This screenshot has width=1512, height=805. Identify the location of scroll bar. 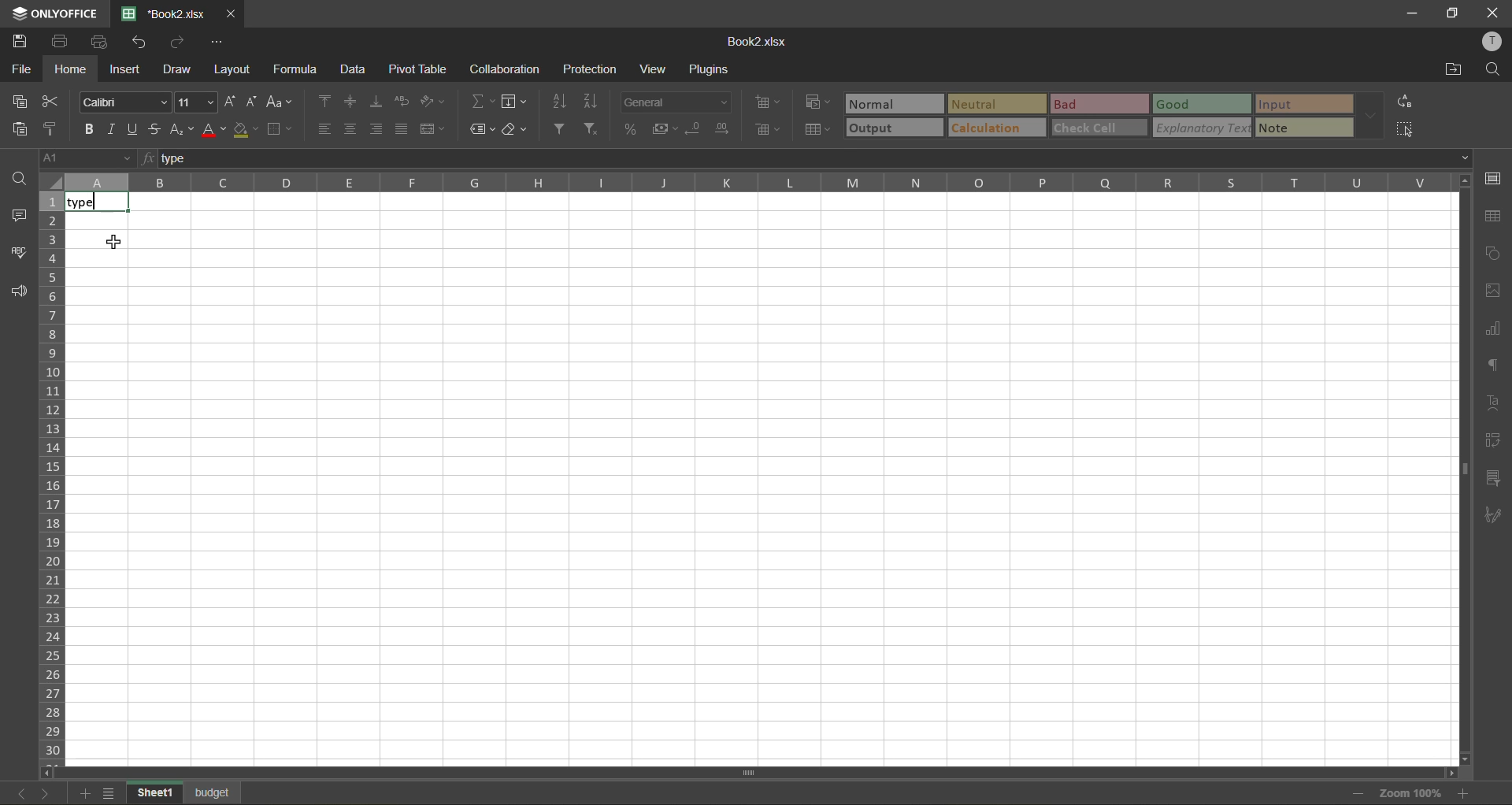
(1460, 370).